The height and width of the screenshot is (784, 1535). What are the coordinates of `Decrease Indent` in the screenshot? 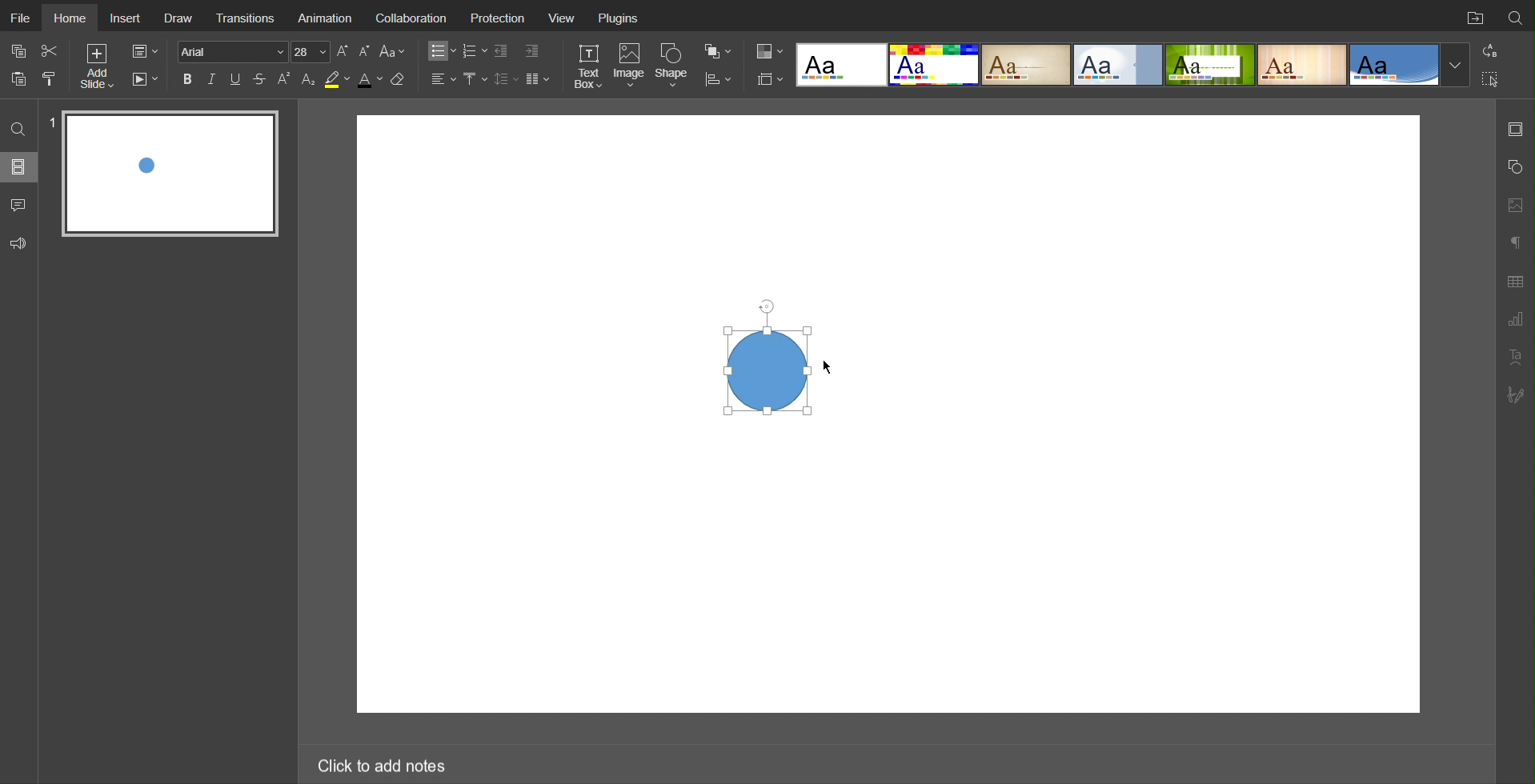 It's located at (503, 51).